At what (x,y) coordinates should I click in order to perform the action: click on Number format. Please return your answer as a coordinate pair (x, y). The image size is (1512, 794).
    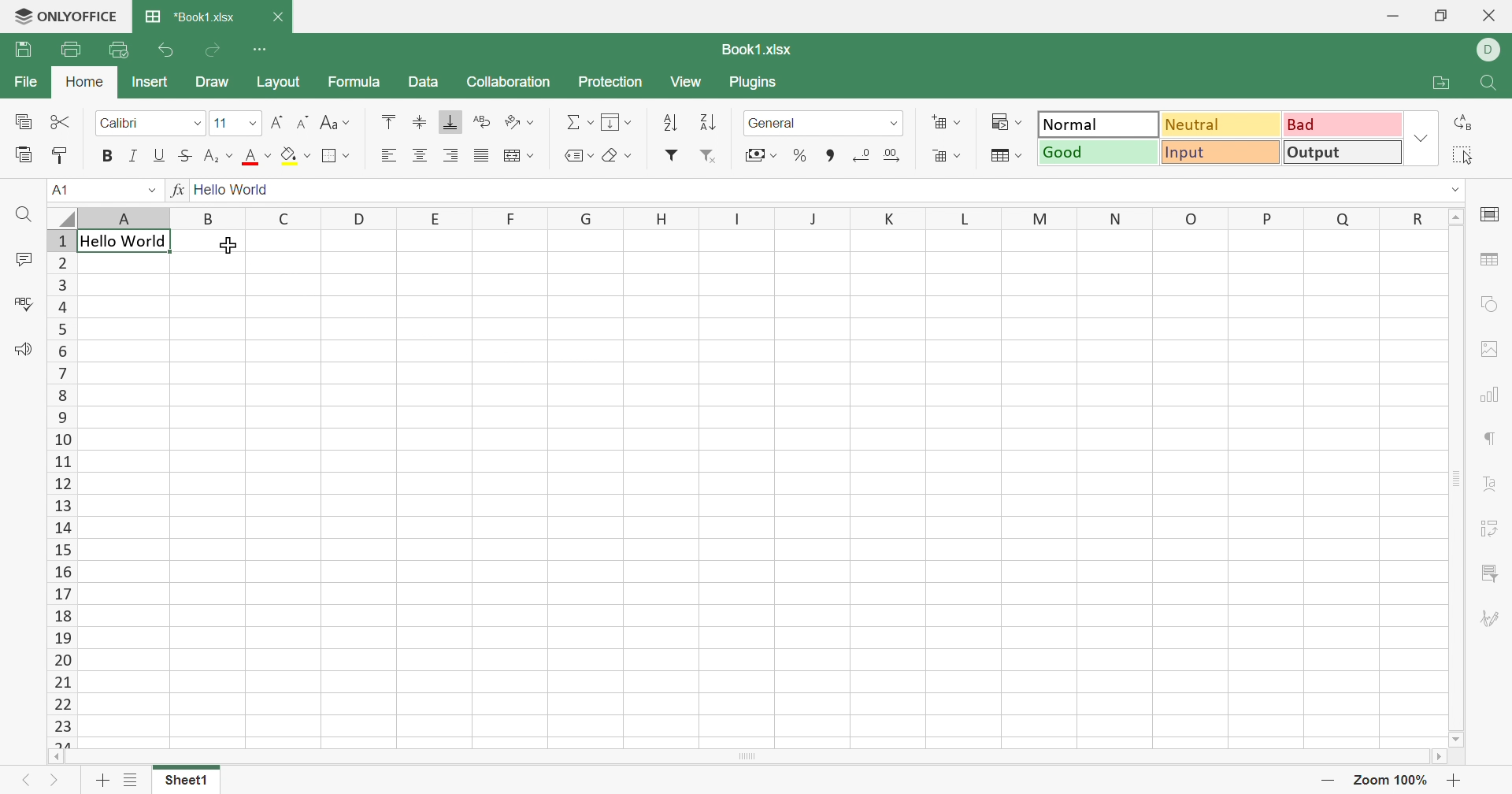
    Looking at the image, I should click on (817, 121).